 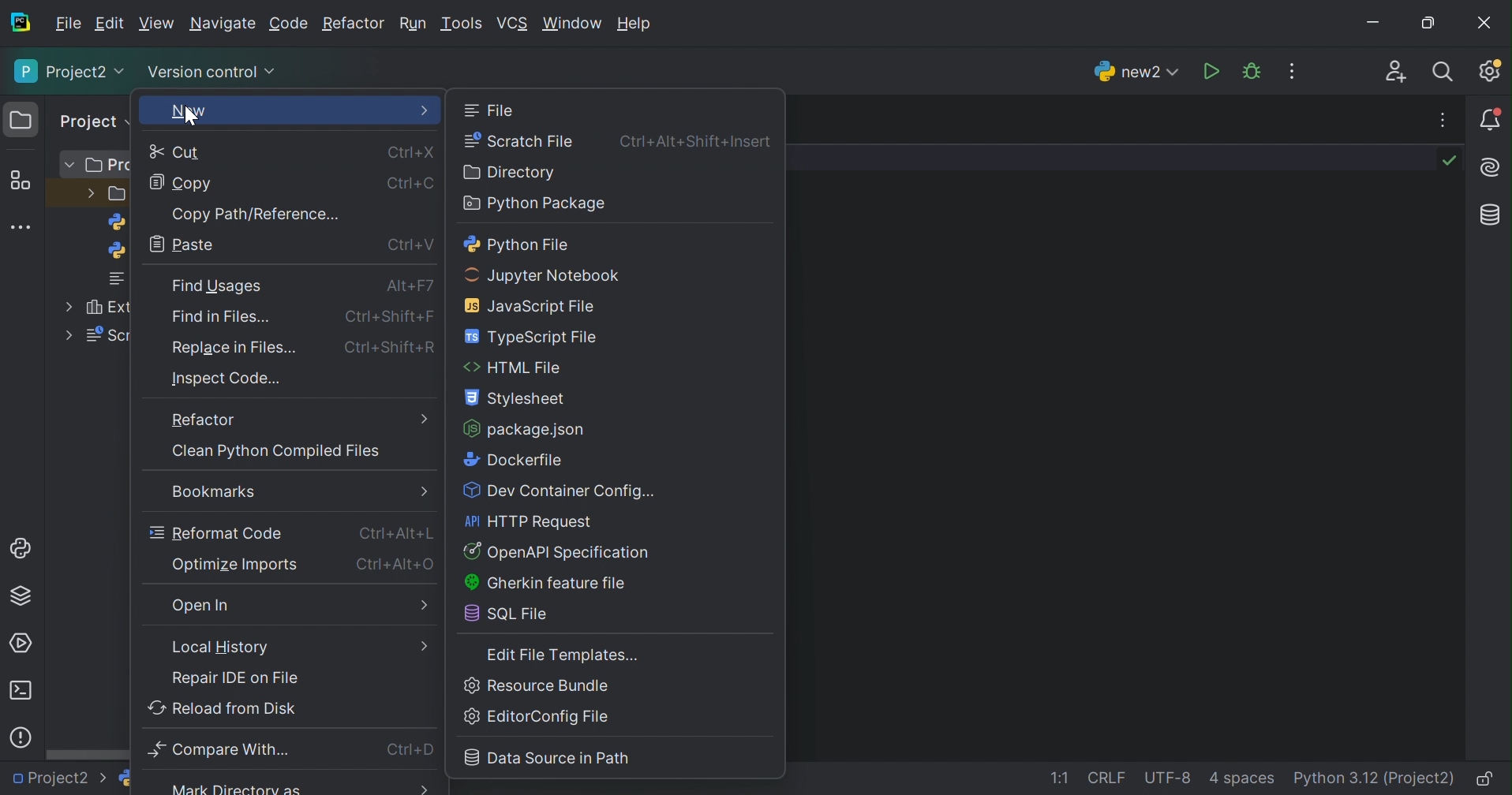 I want to click on UTF-8, so click(x=1167, y=779).